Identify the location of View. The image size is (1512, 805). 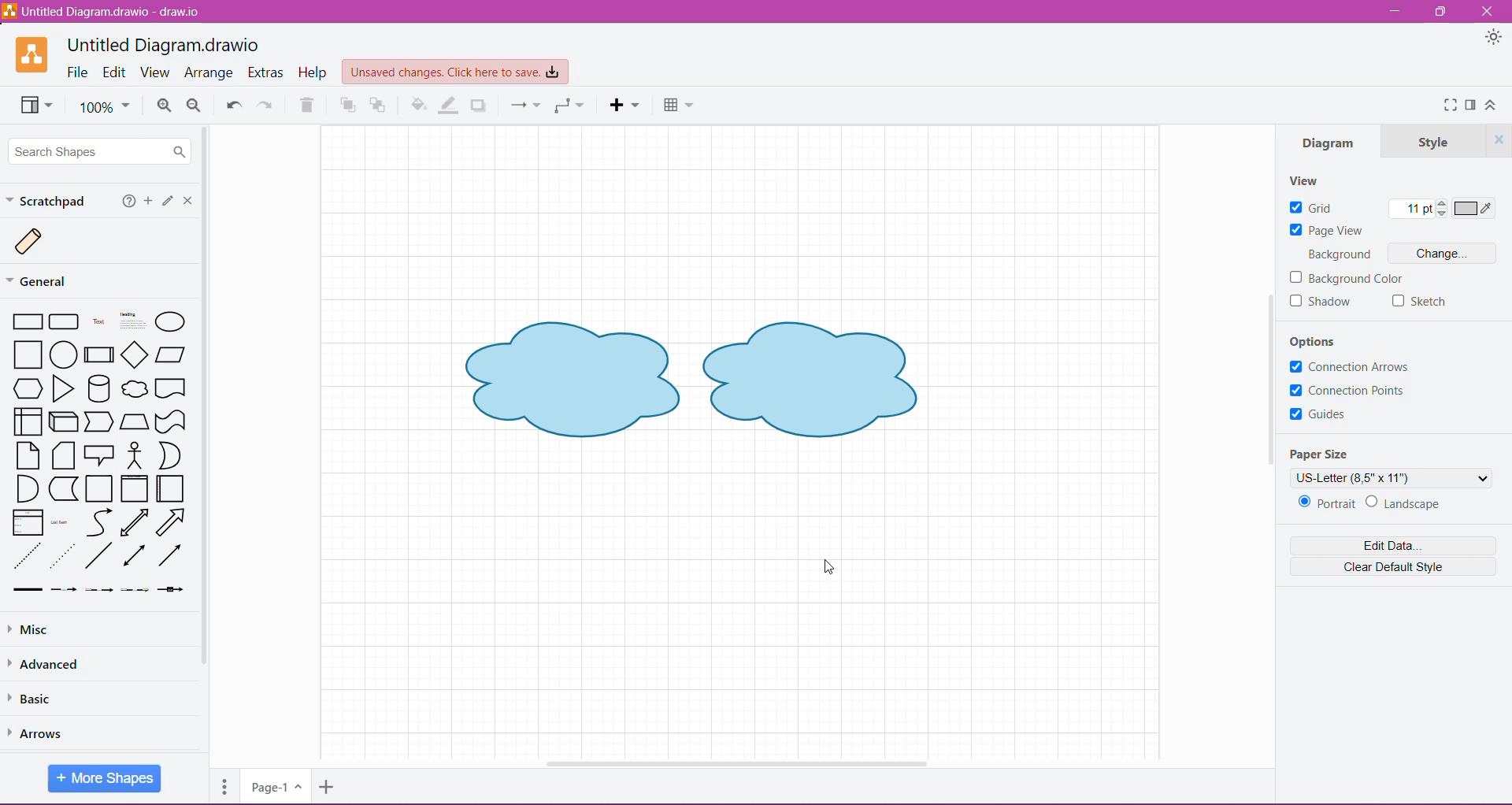
(39, 106).